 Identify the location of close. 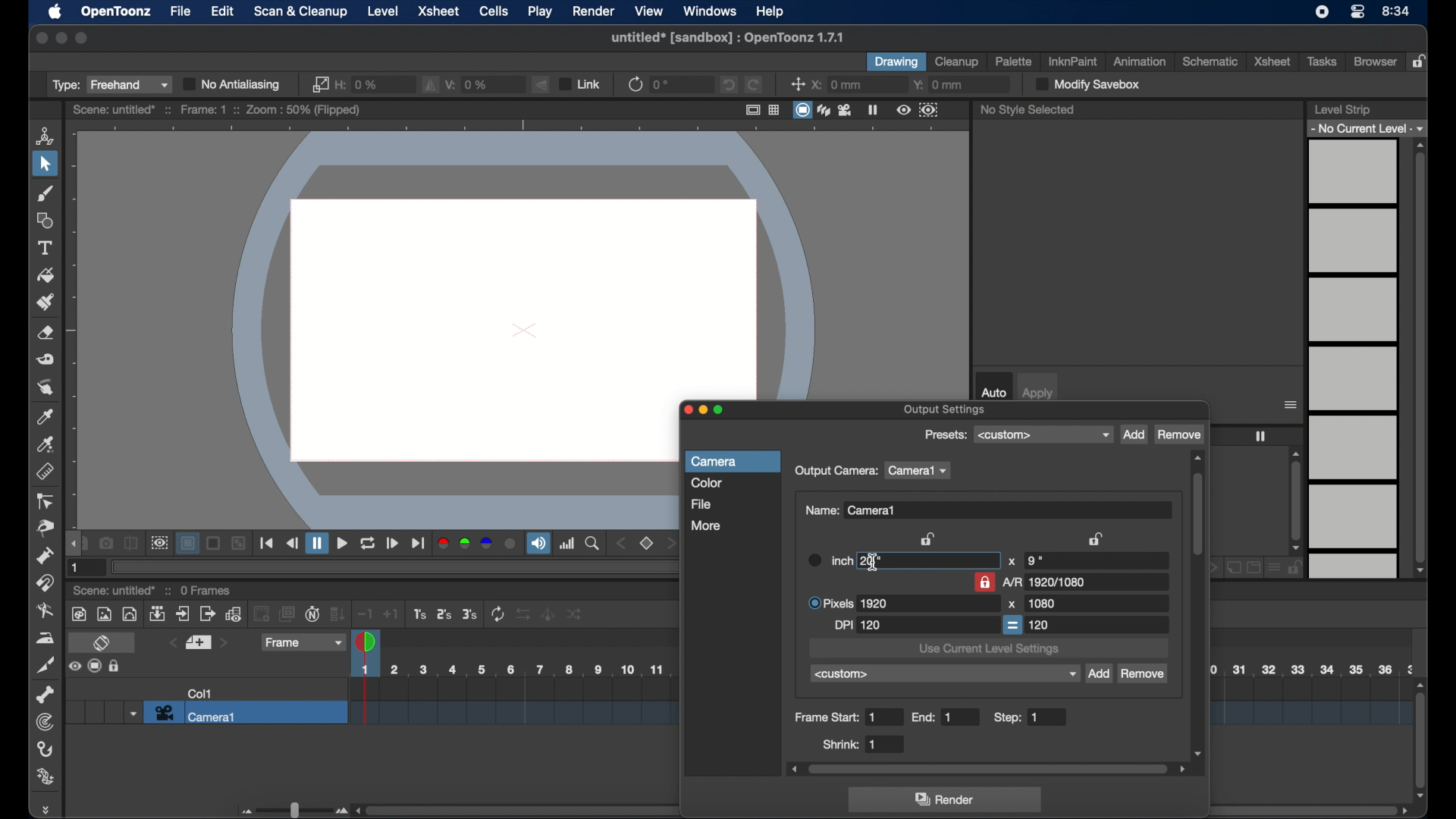
(685, 412).